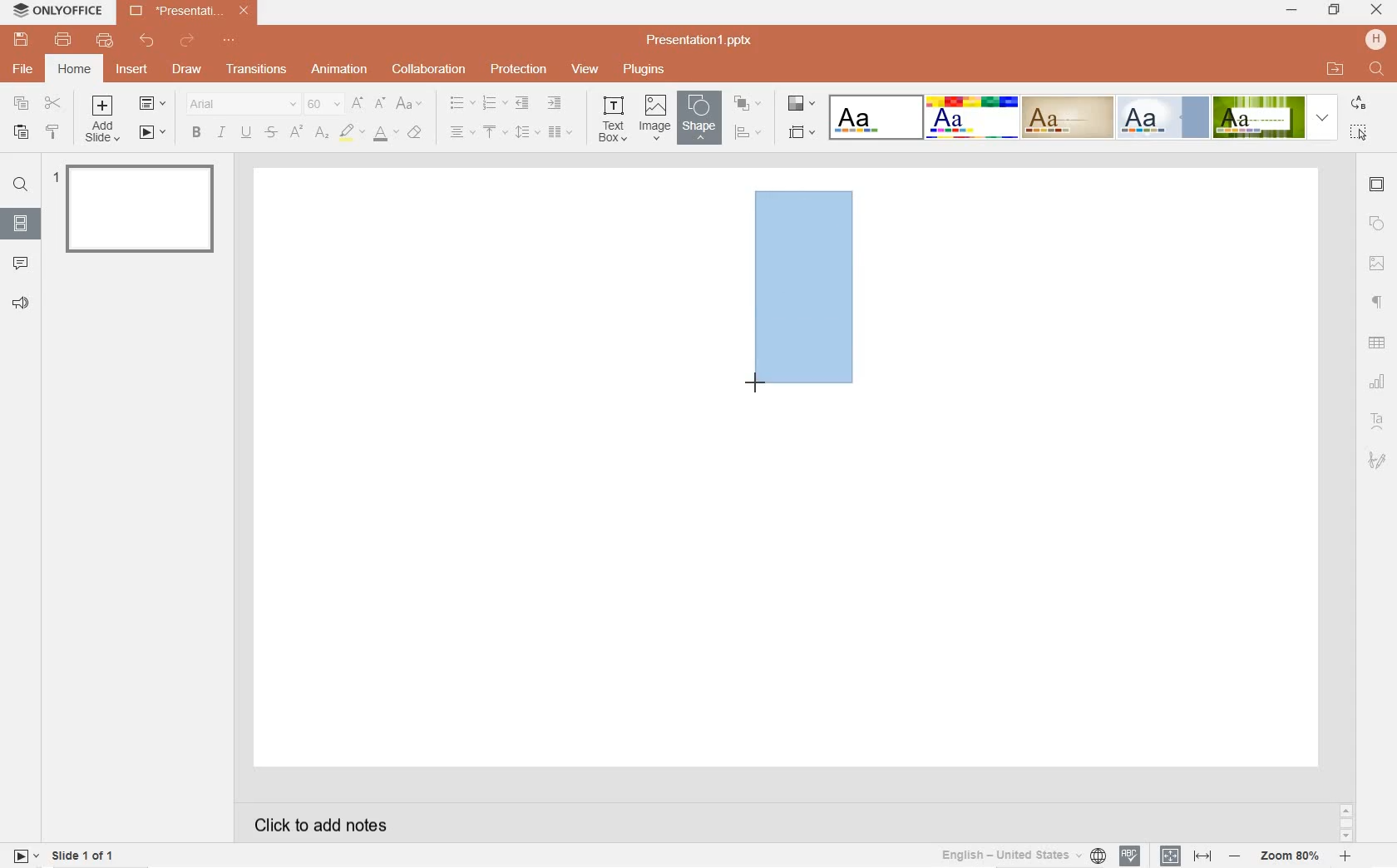  Describe the element at coordinates (296, 133) in the screenshot. I see `superscript` at that location.